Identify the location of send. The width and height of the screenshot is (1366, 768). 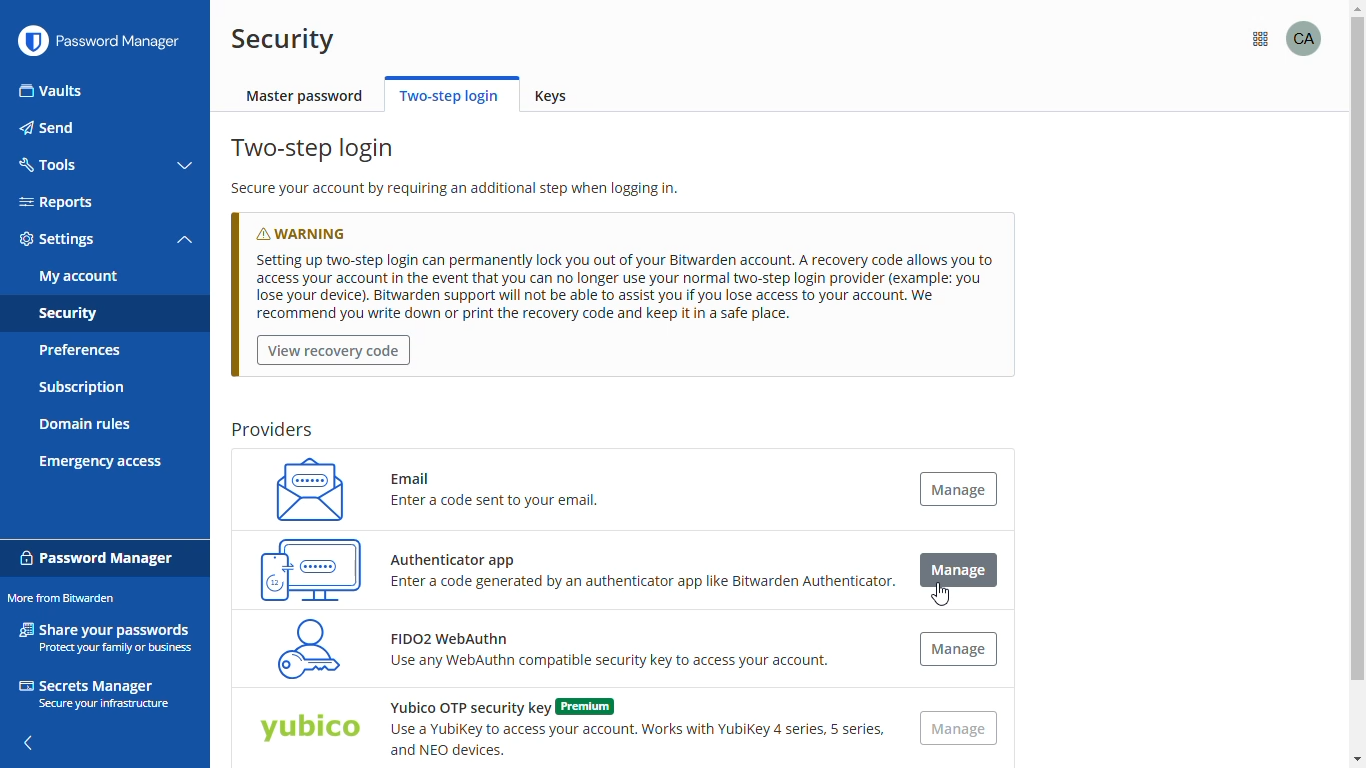
(49, 128).